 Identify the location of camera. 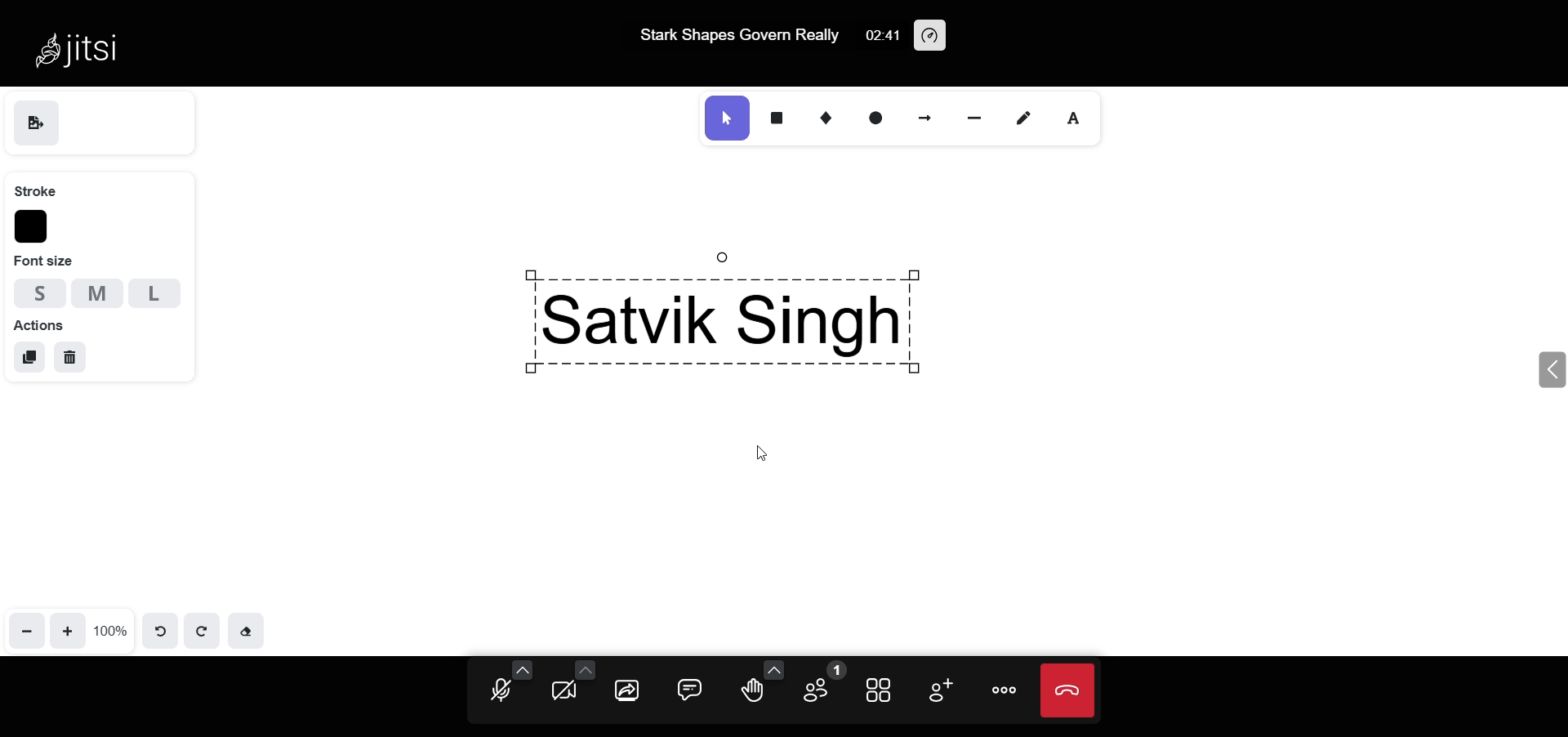
(565, 691).